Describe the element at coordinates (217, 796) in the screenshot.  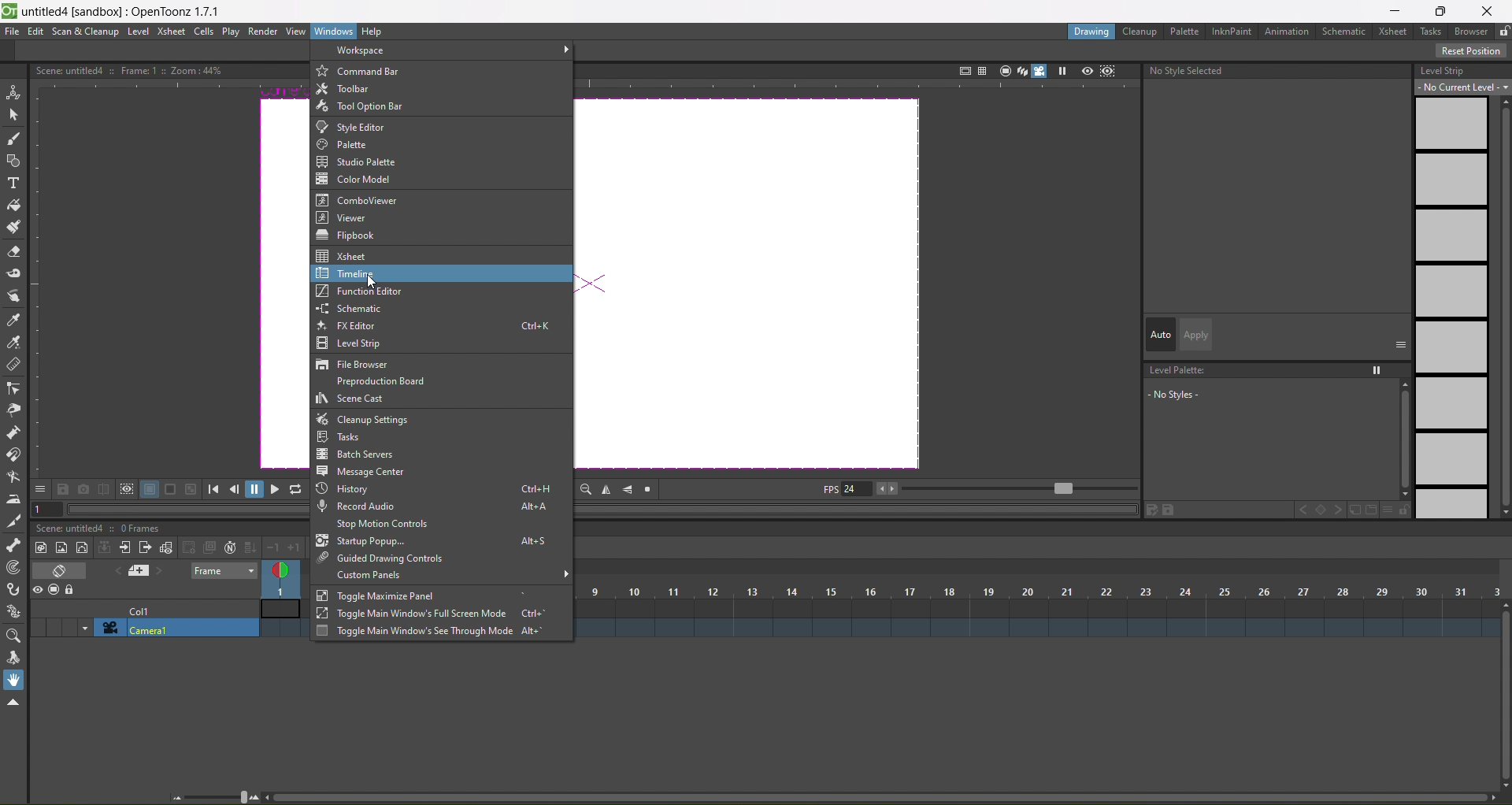
I see `zoom ` at that location.